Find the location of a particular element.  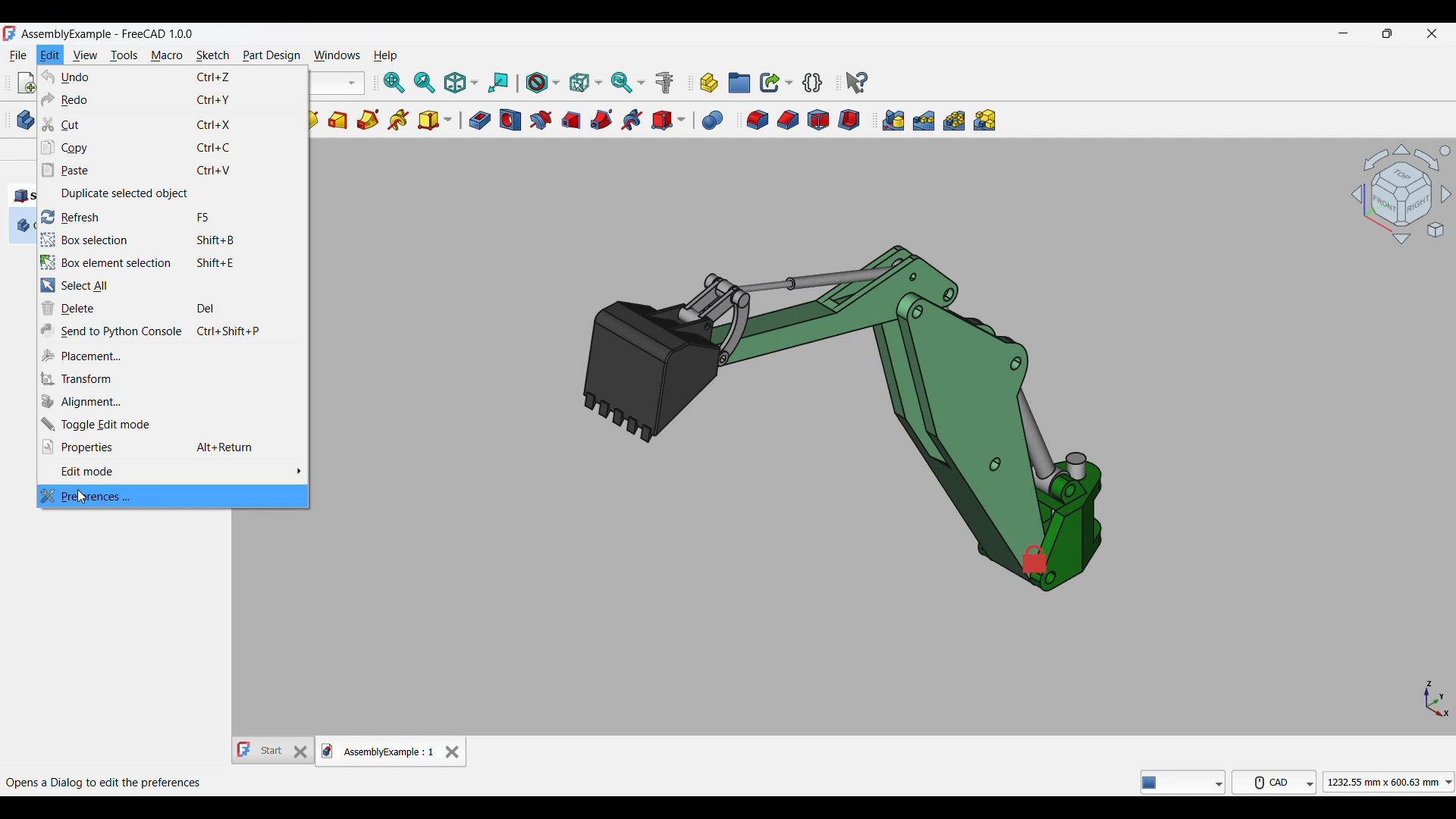

Additive helix is located at coordinates (399, 121).